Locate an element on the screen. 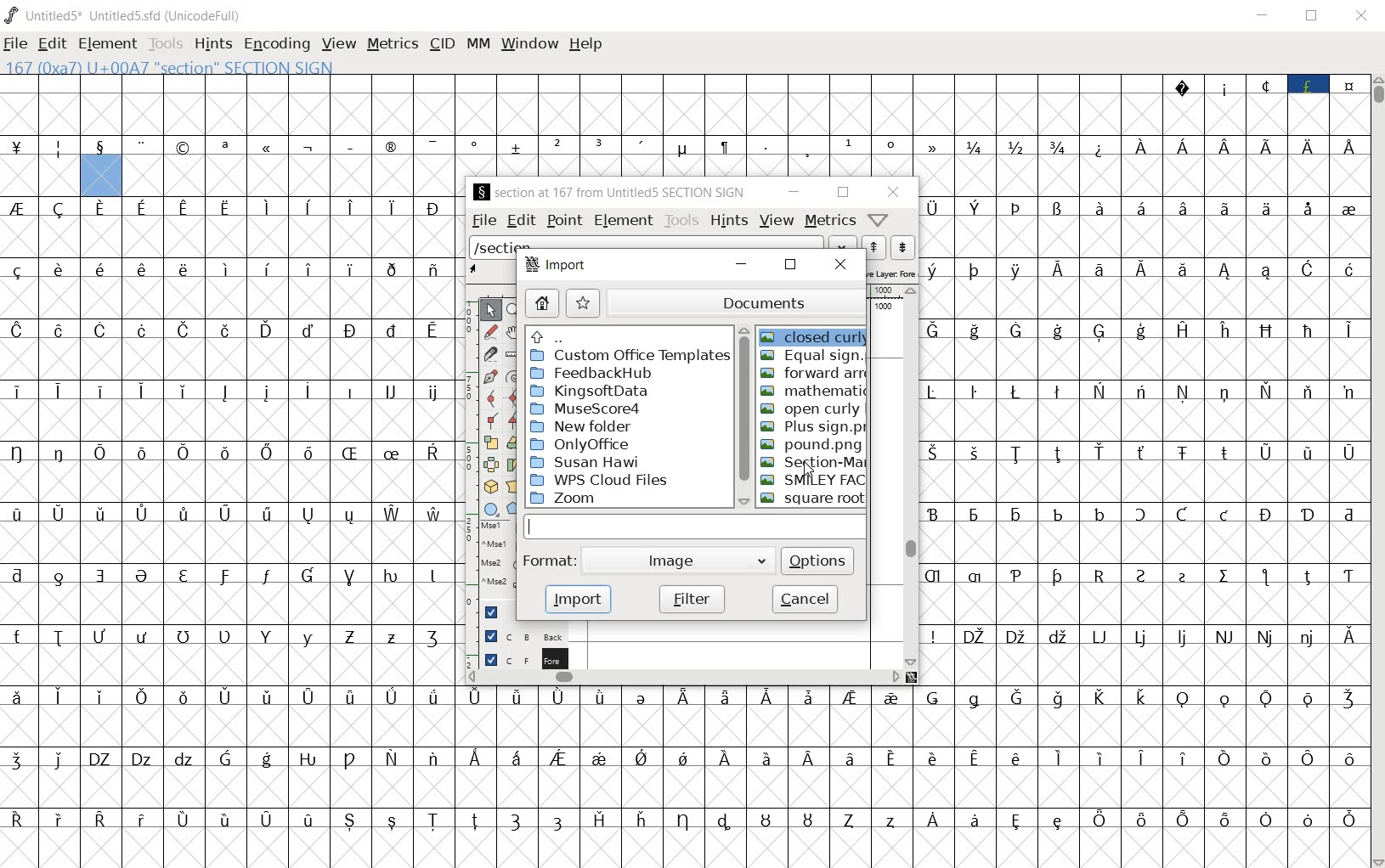 Image resolution: width=1385 pixels, height=868 pixels. empty cells is located at coordinates (1142, 544).